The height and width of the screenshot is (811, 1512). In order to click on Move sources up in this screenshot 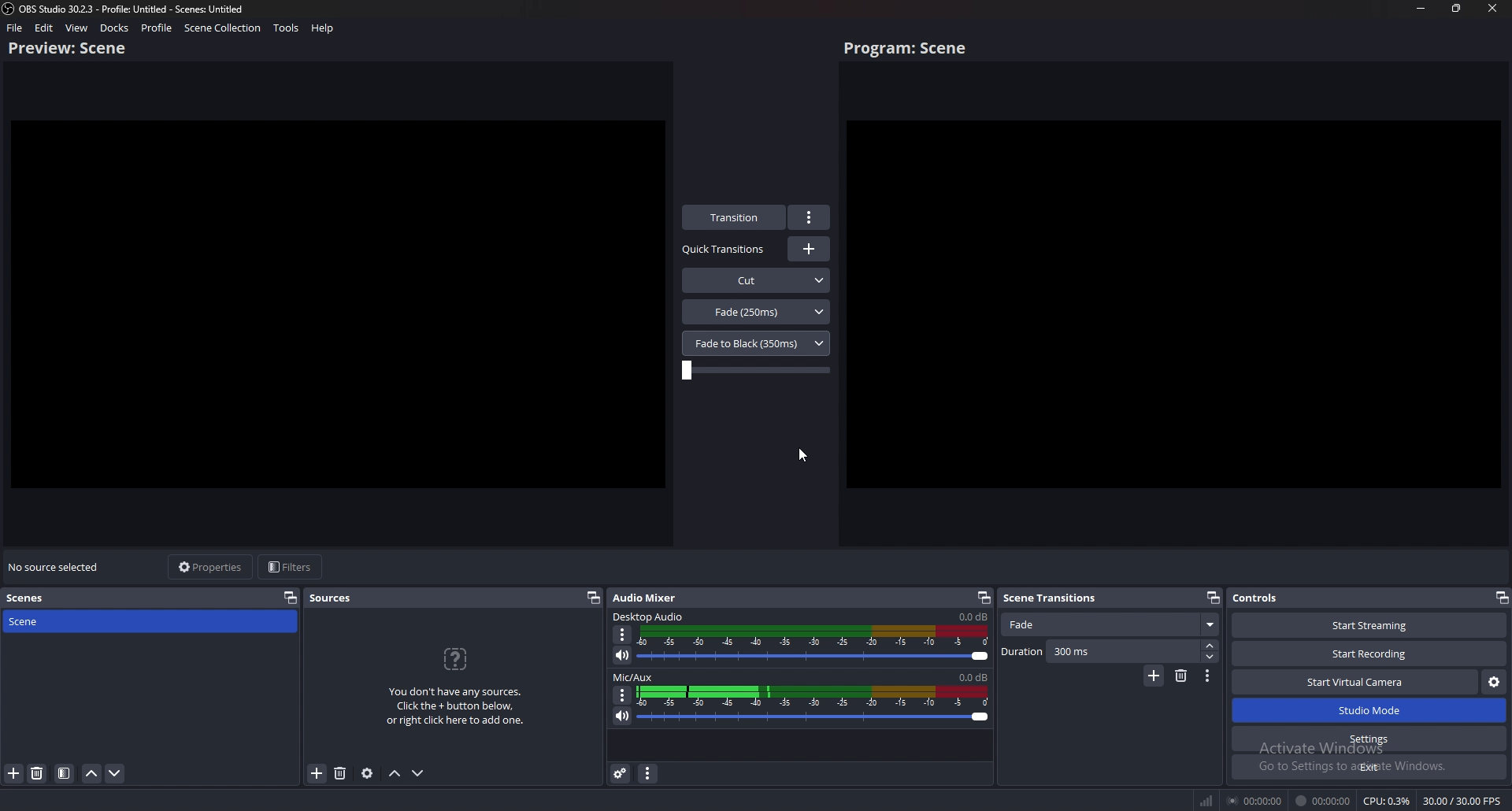, I will do `click(395, 774)`.